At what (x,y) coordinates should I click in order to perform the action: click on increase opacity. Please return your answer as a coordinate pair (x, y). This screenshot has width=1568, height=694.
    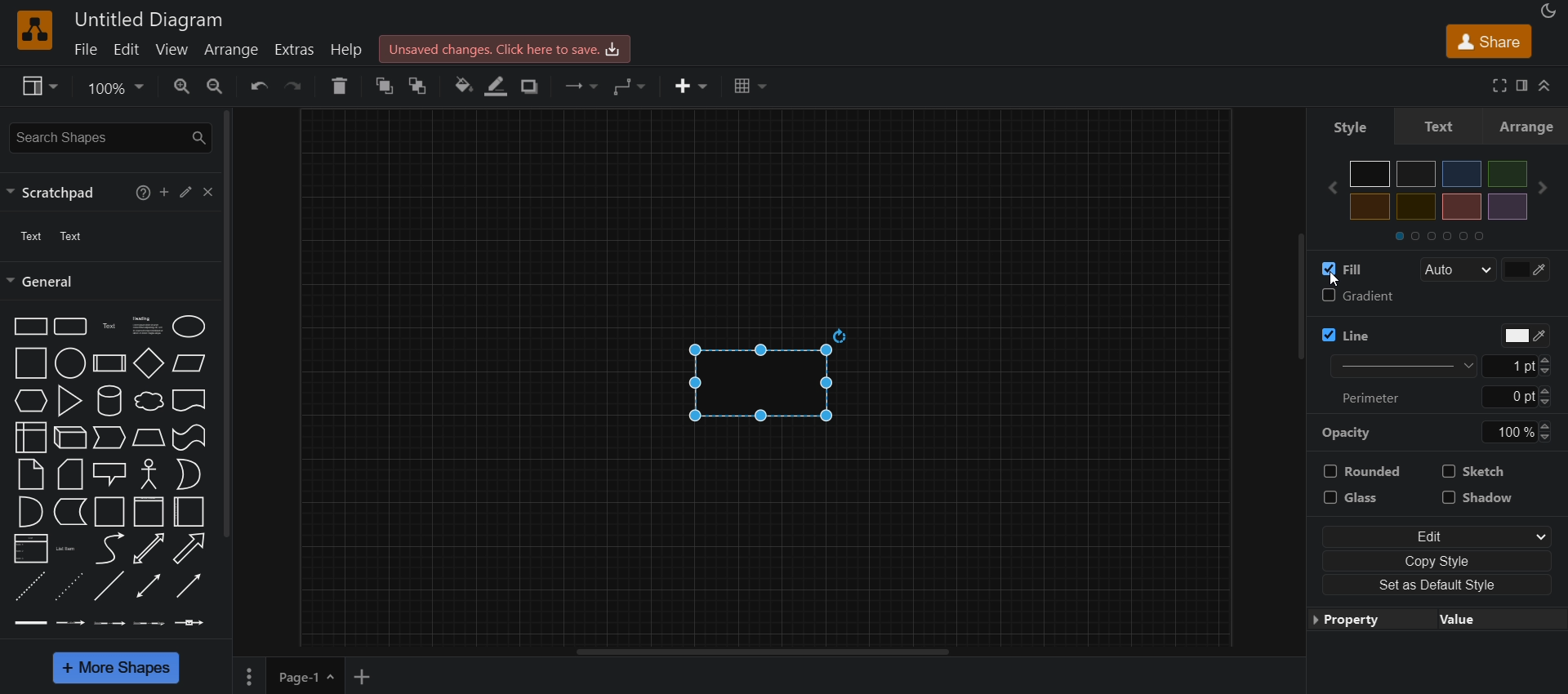
    Looking at the image, I should click on (1544, 425).